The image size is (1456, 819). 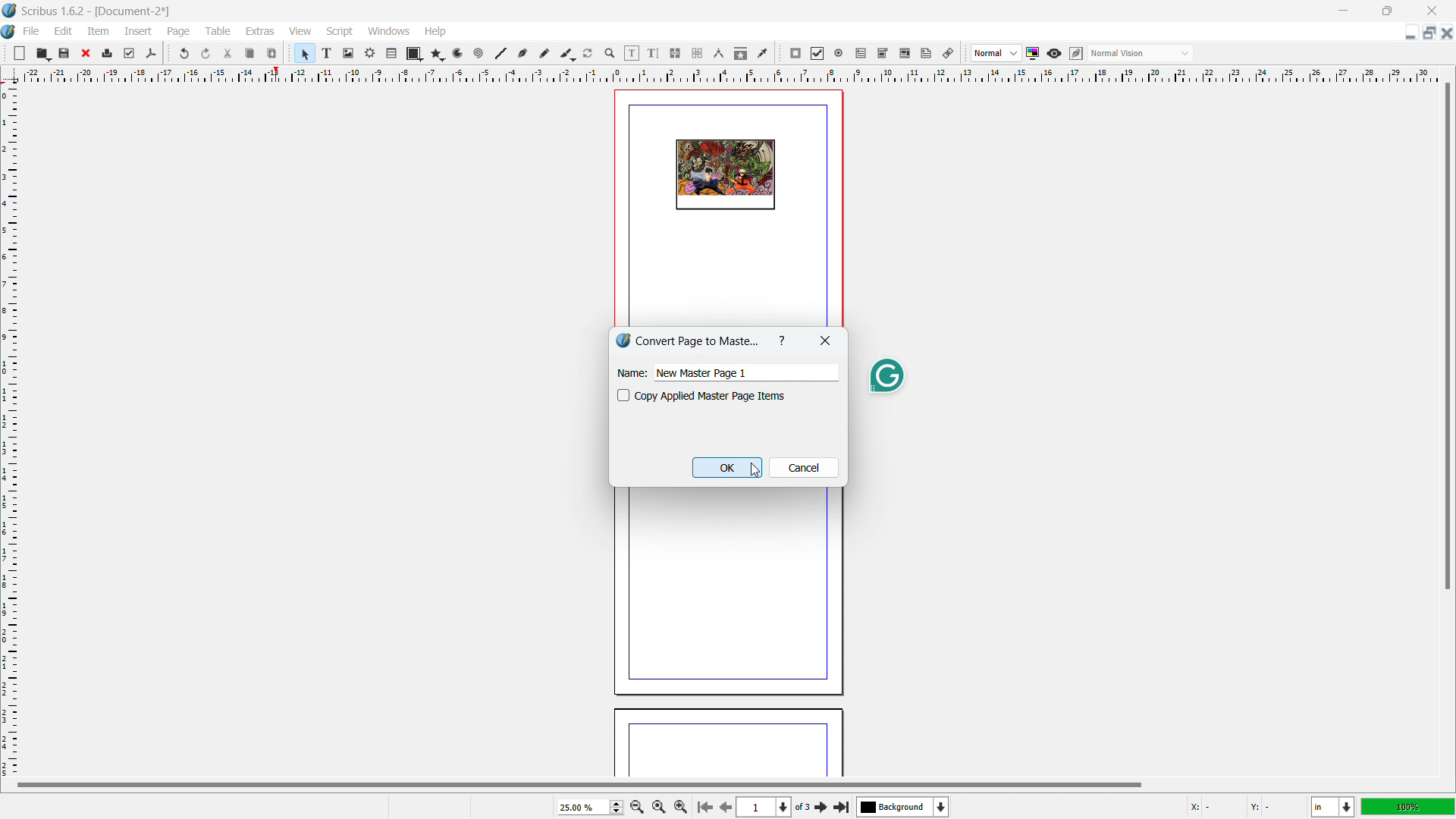 What do you see at coordinates (723, 805) in the screenshot?
I see `next page` at bounding box center [723, 805].